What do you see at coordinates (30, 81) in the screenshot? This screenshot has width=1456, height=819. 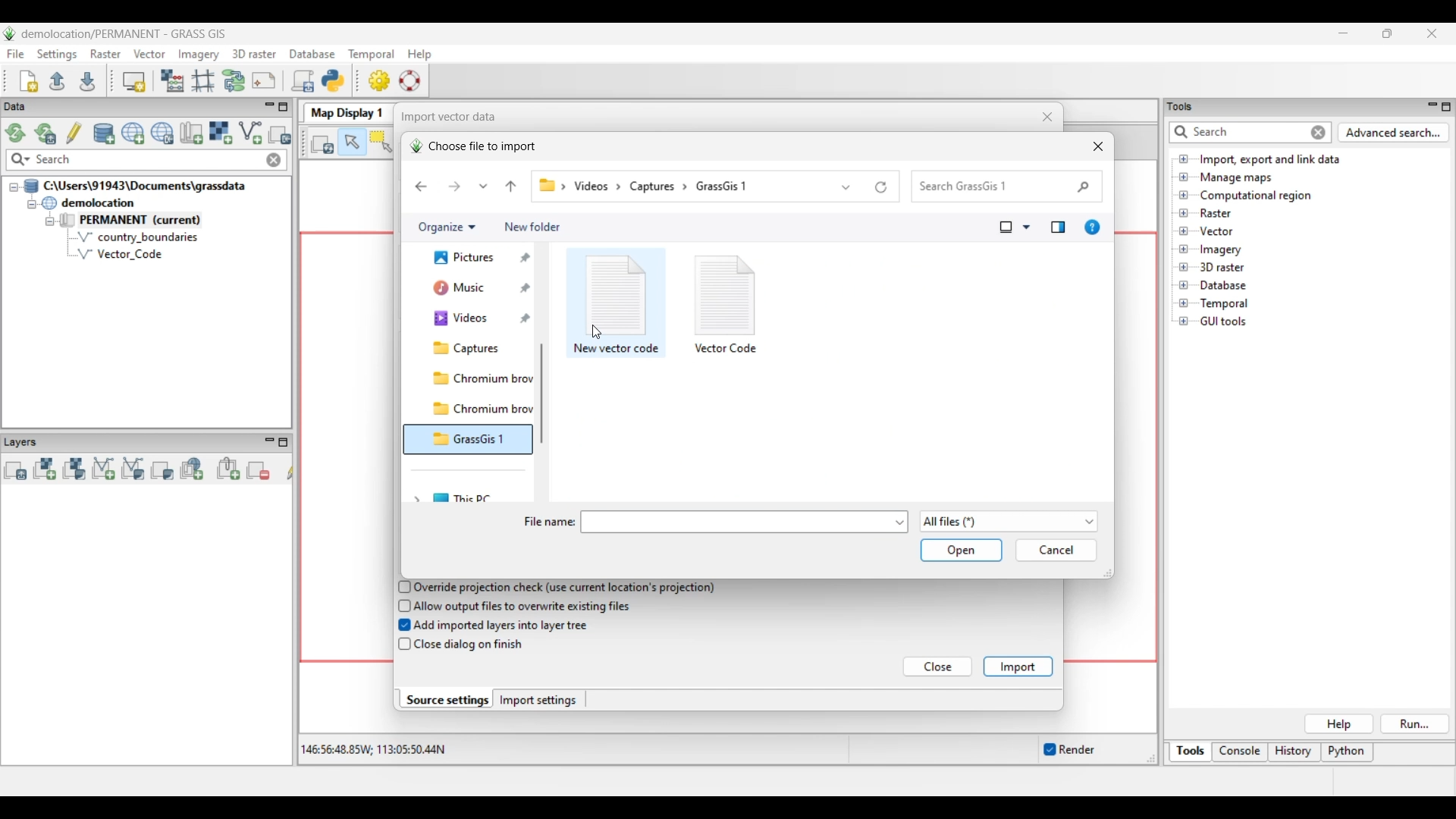 I see `Create new workspace` at bounding box center [30, 81].